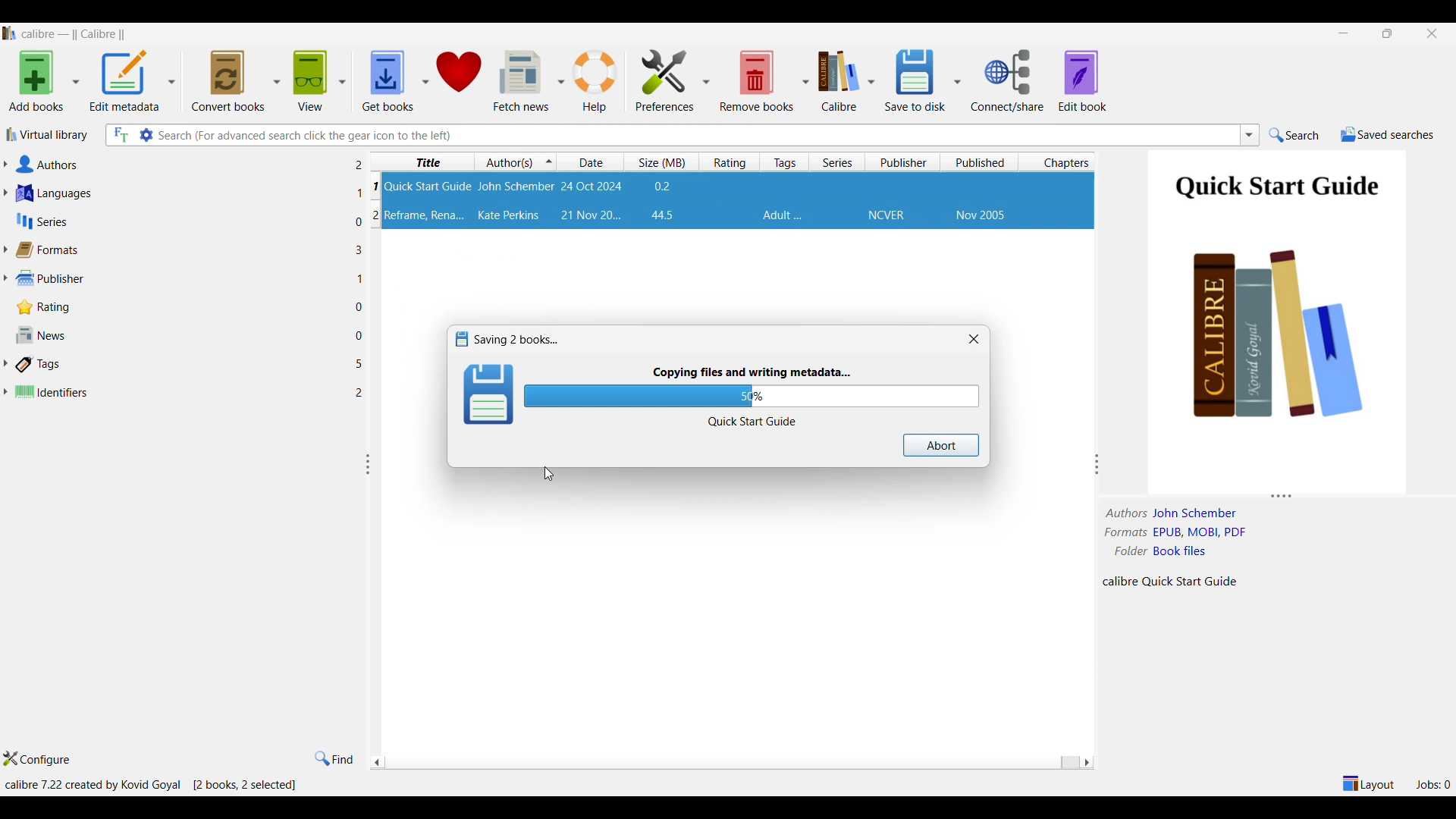  What do you see at coordinates (921, 82) in the screenshot?
I see `Save options` at bounding box center [921, 82].